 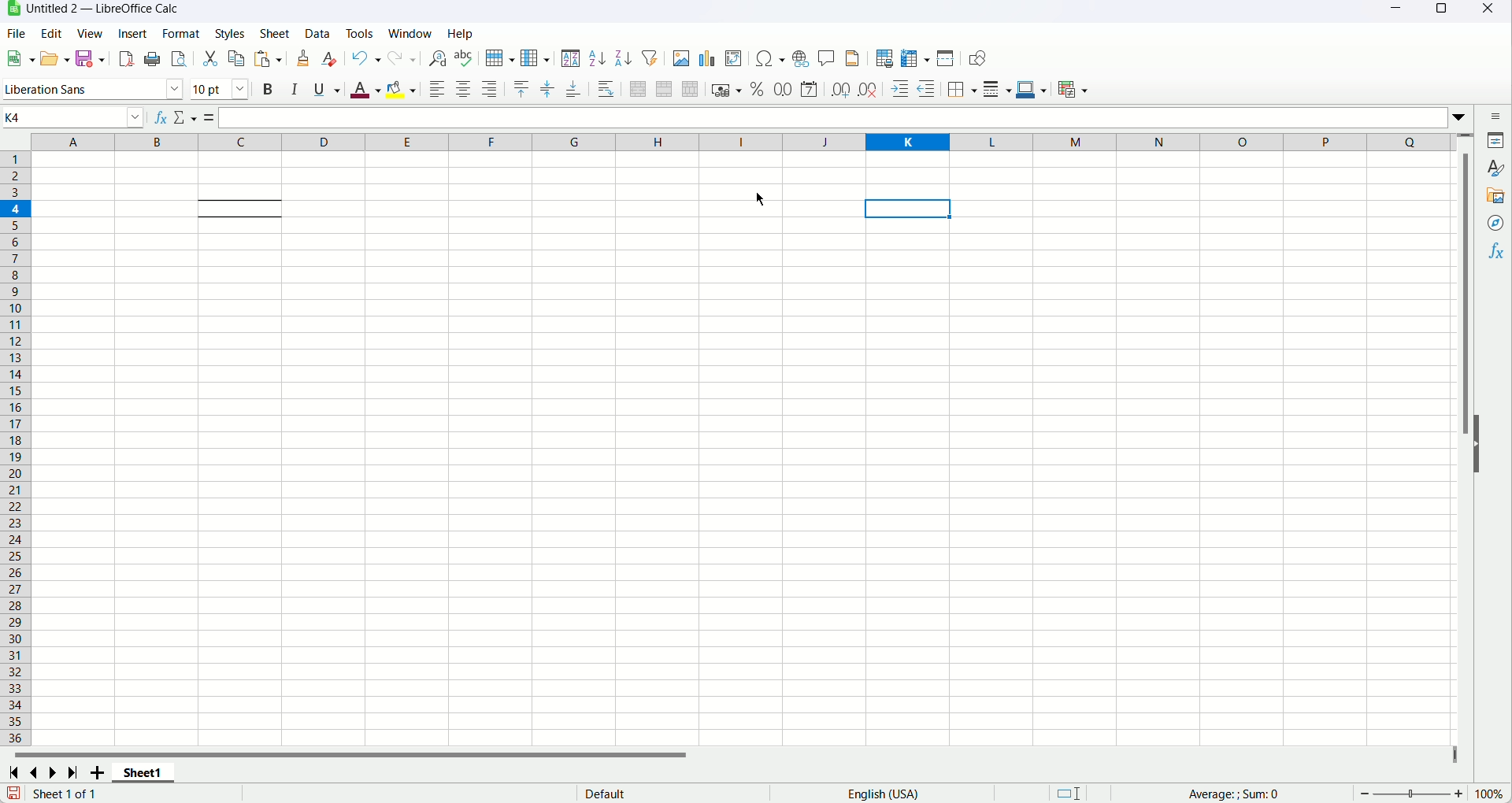 I want to click on Add new sheet , so click(x=97, y=775).